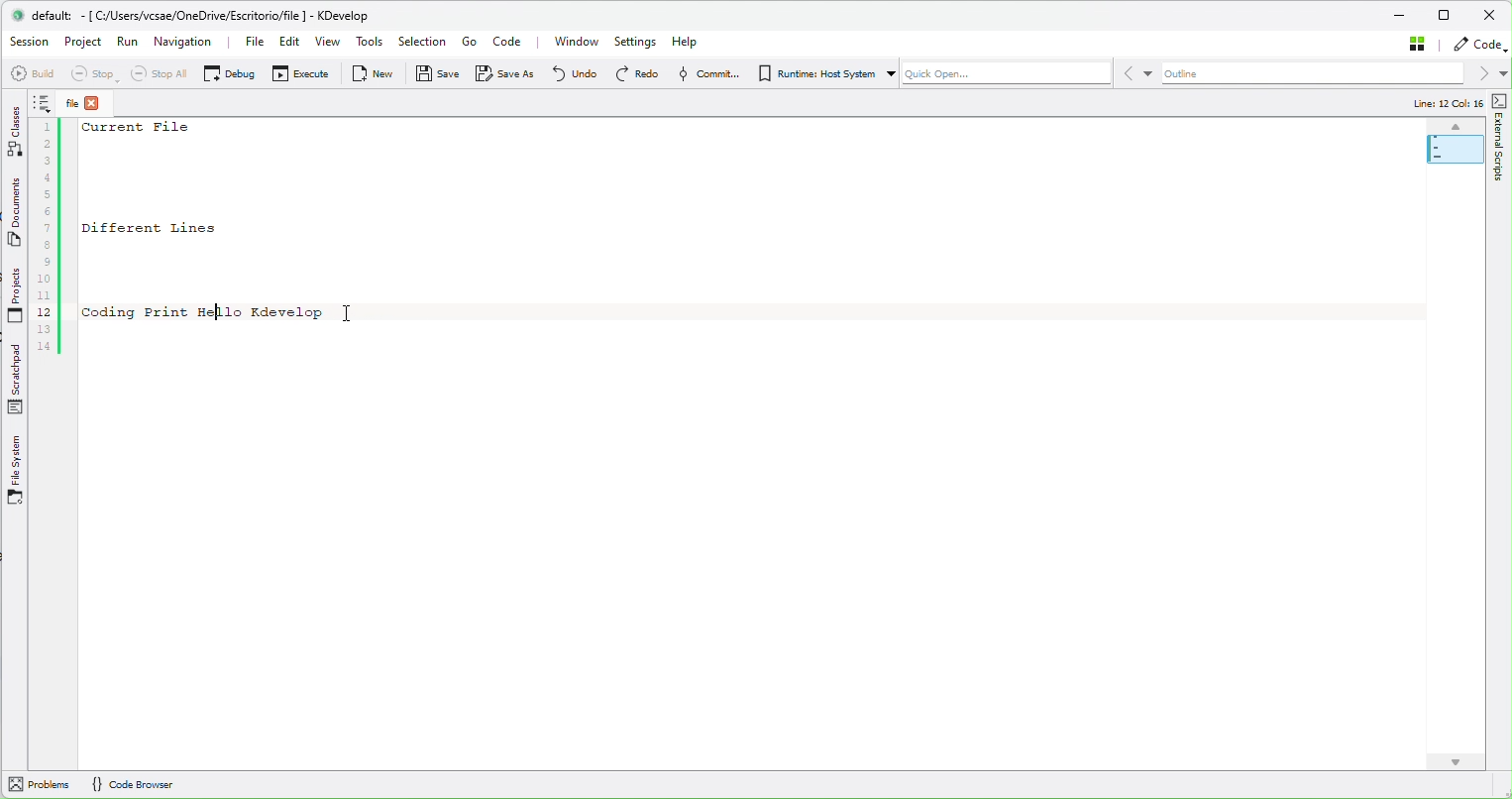 The image size is (1512, 799). I want to click on Run, so click(131, 40).